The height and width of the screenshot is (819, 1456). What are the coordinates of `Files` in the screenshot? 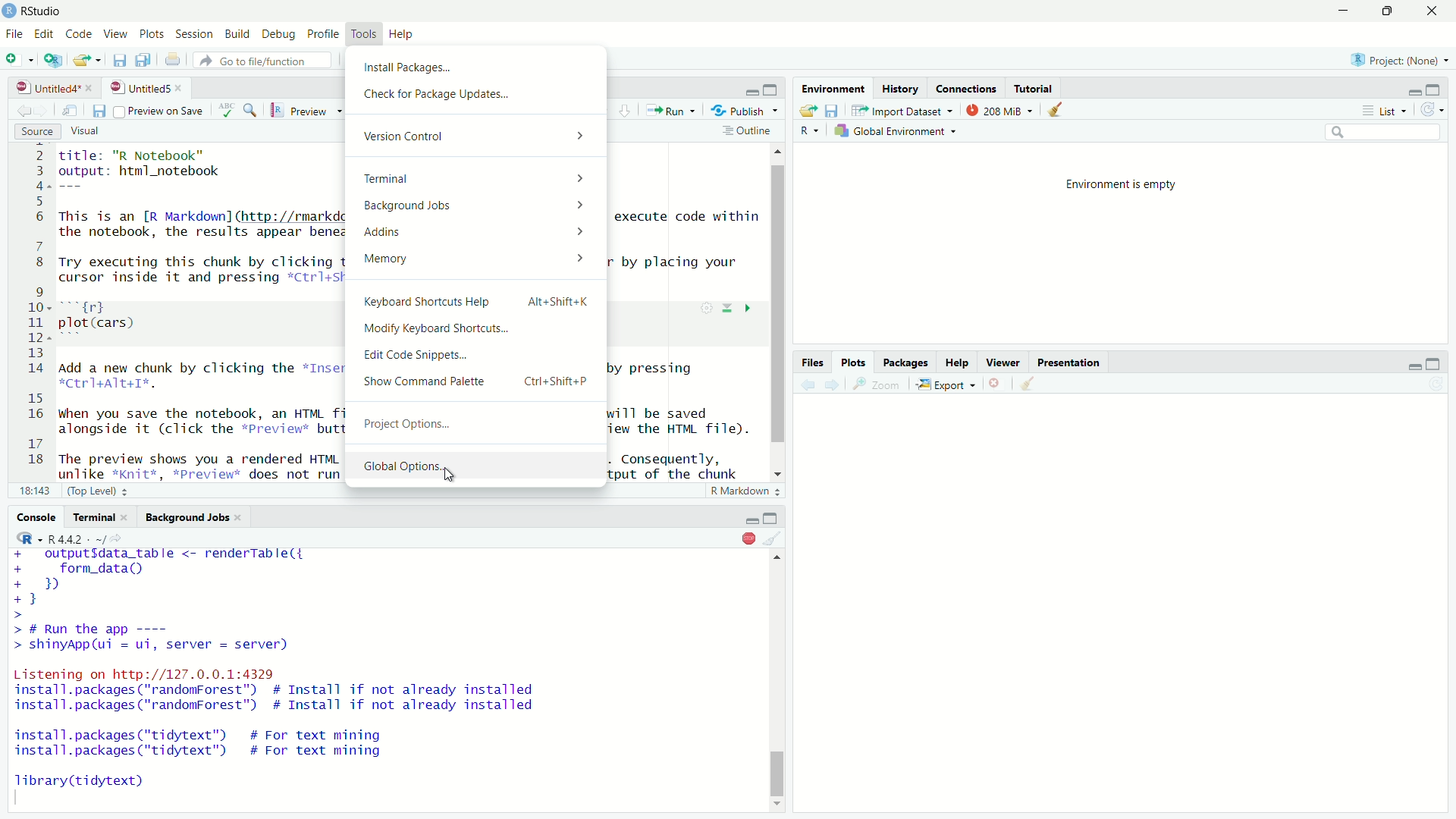 It's located at (810, 362).